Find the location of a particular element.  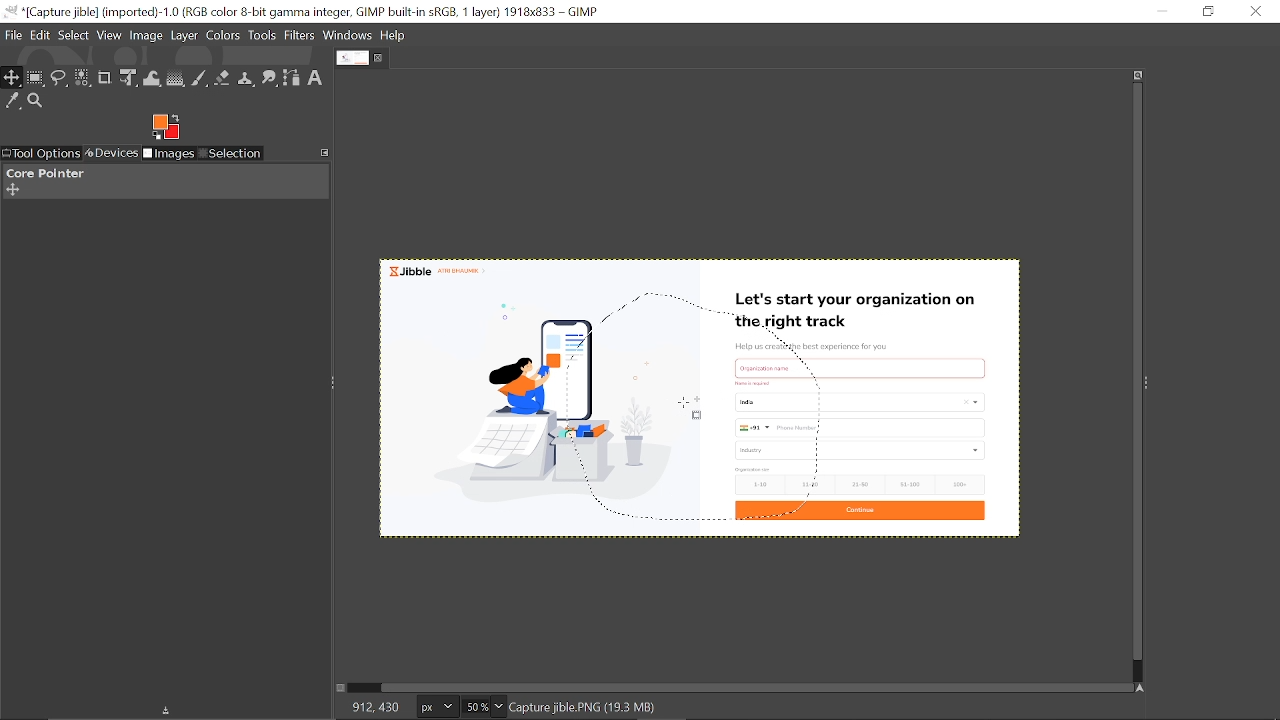

View is located at coordinates (109, 35).